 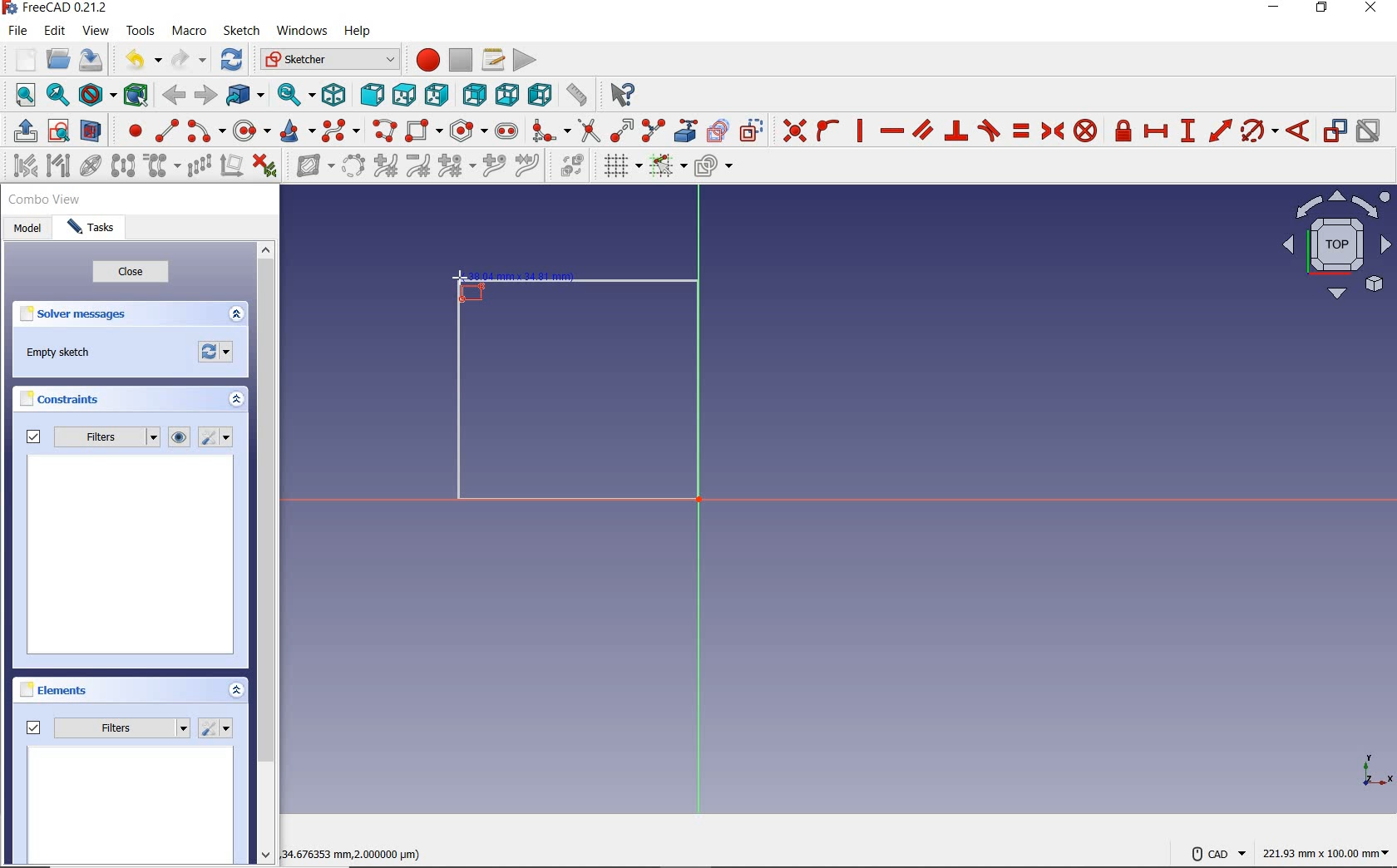 What do you see at coordinates (1325, 853) in the screenshot?
I see `221.93mmx100.00mm` at bounding box center [1325, 853].